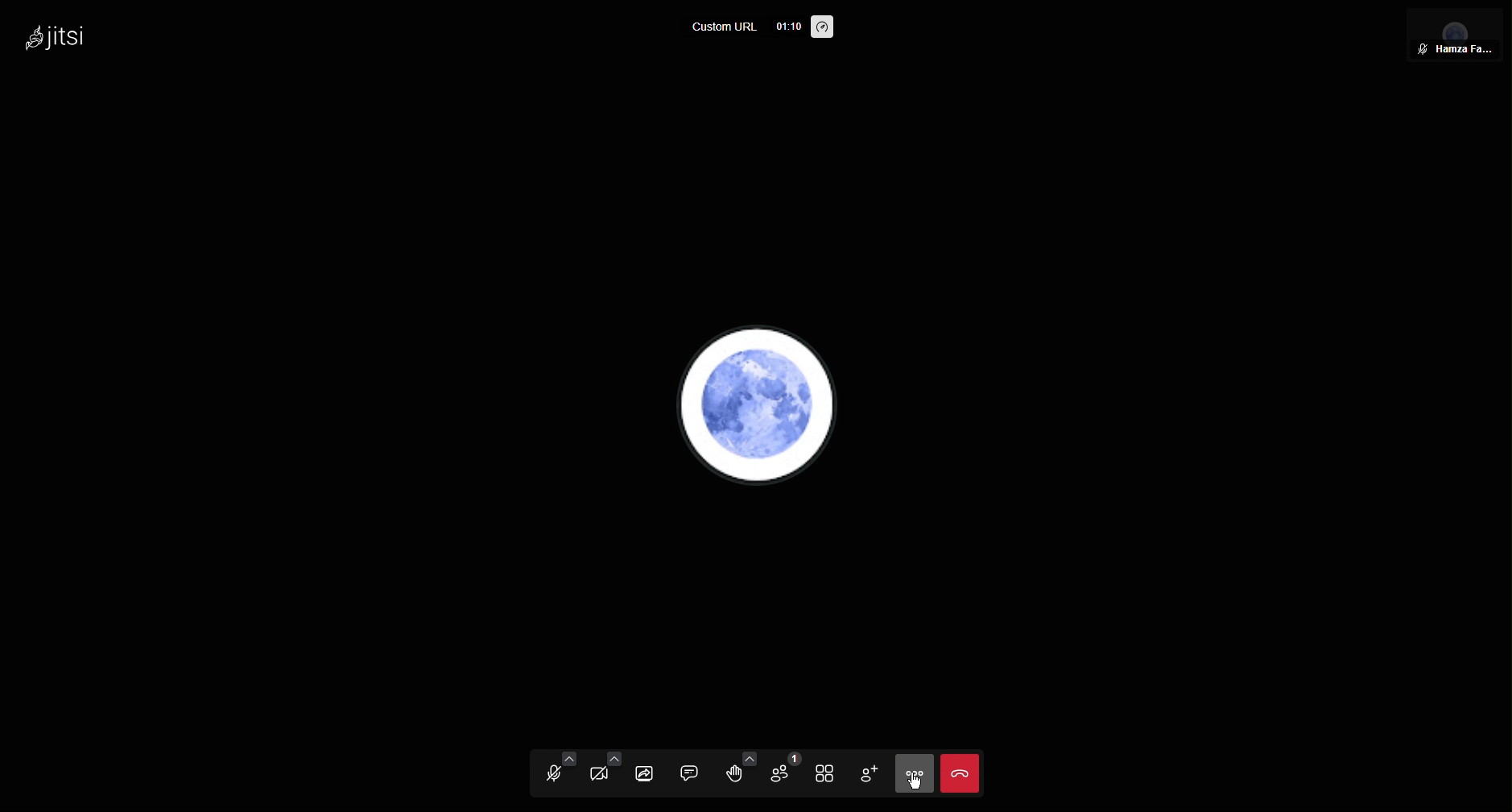 This screenshot has height=812, width=1512. Describe the element at coordinates (604, 773) in the screenshot. I see `Video` at that location.